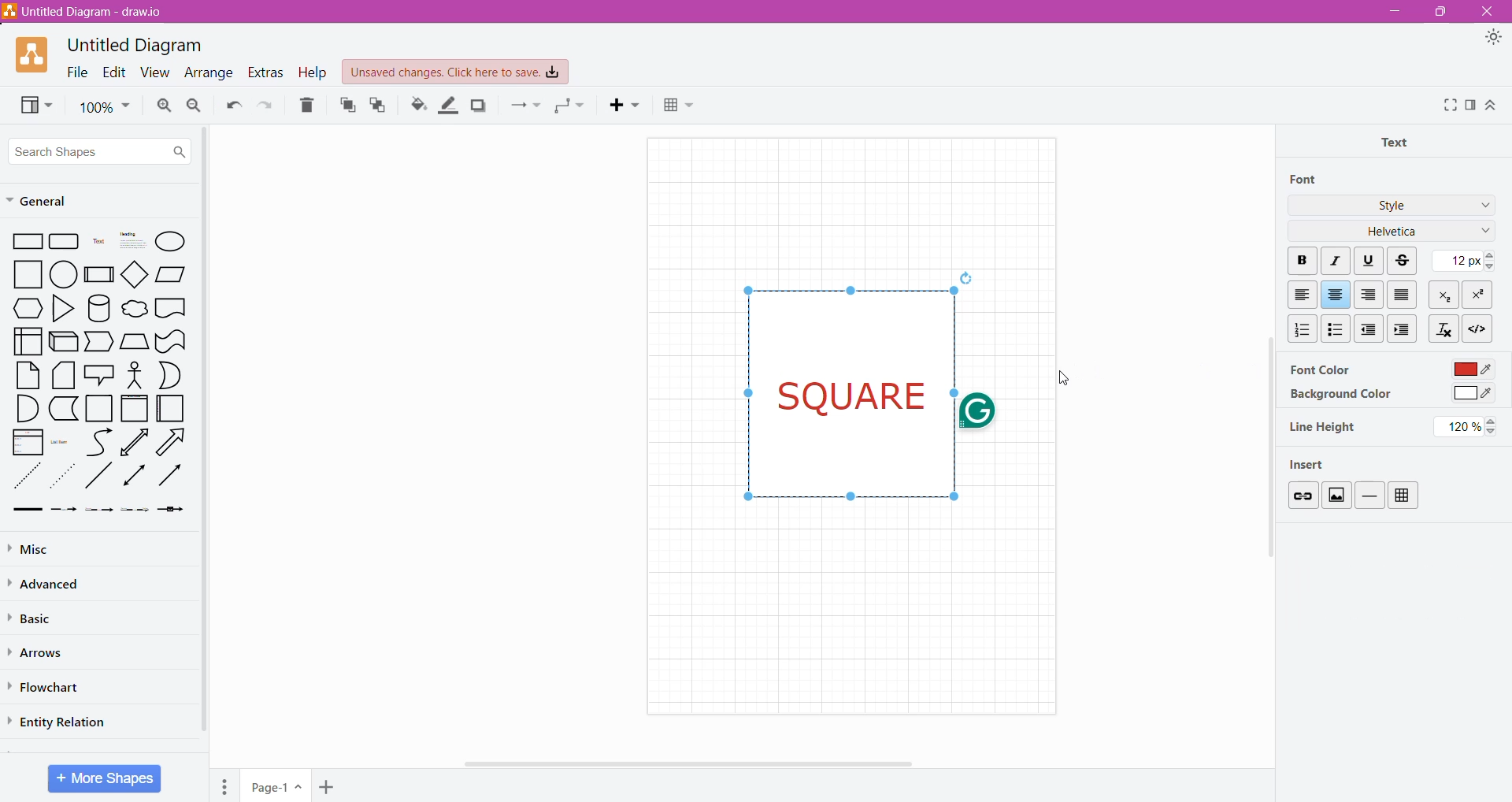 The image size is (1512, 802). I want to click on HTML, so click(1476, 327).